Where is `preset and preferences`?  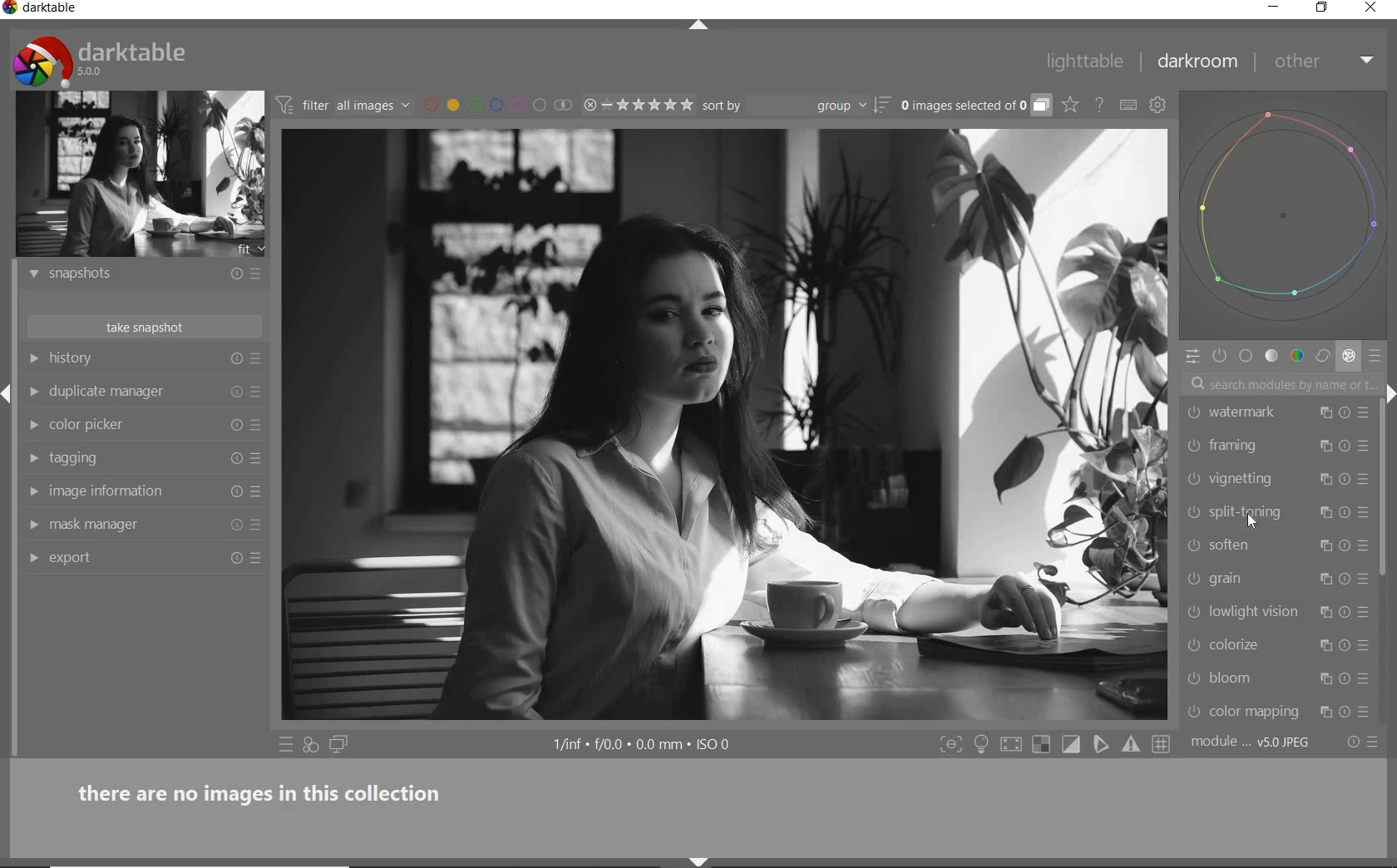 preset and preferences is located at coordinates (260, 426).